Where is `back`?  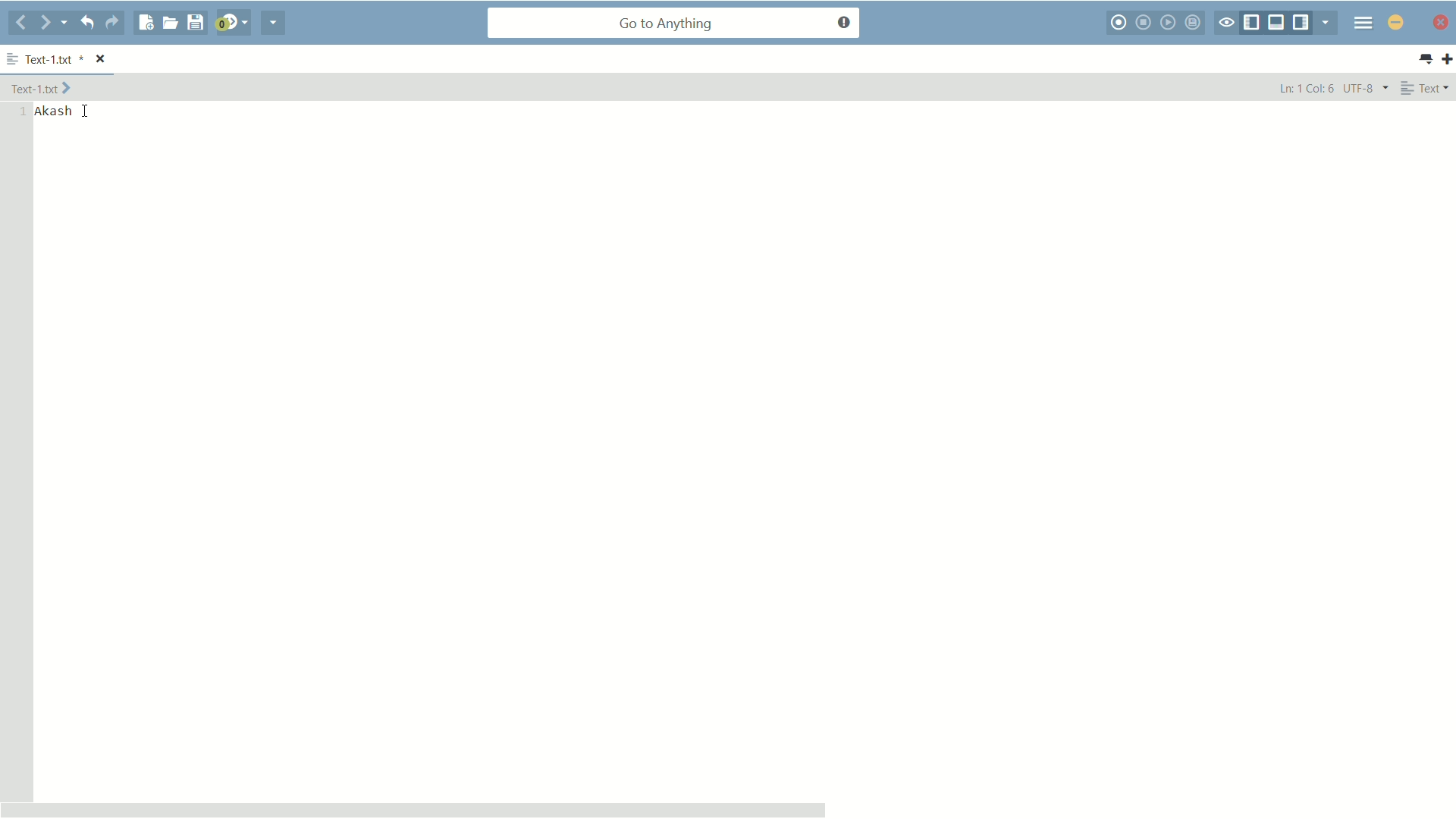 back is located at coordinates (21, 24).